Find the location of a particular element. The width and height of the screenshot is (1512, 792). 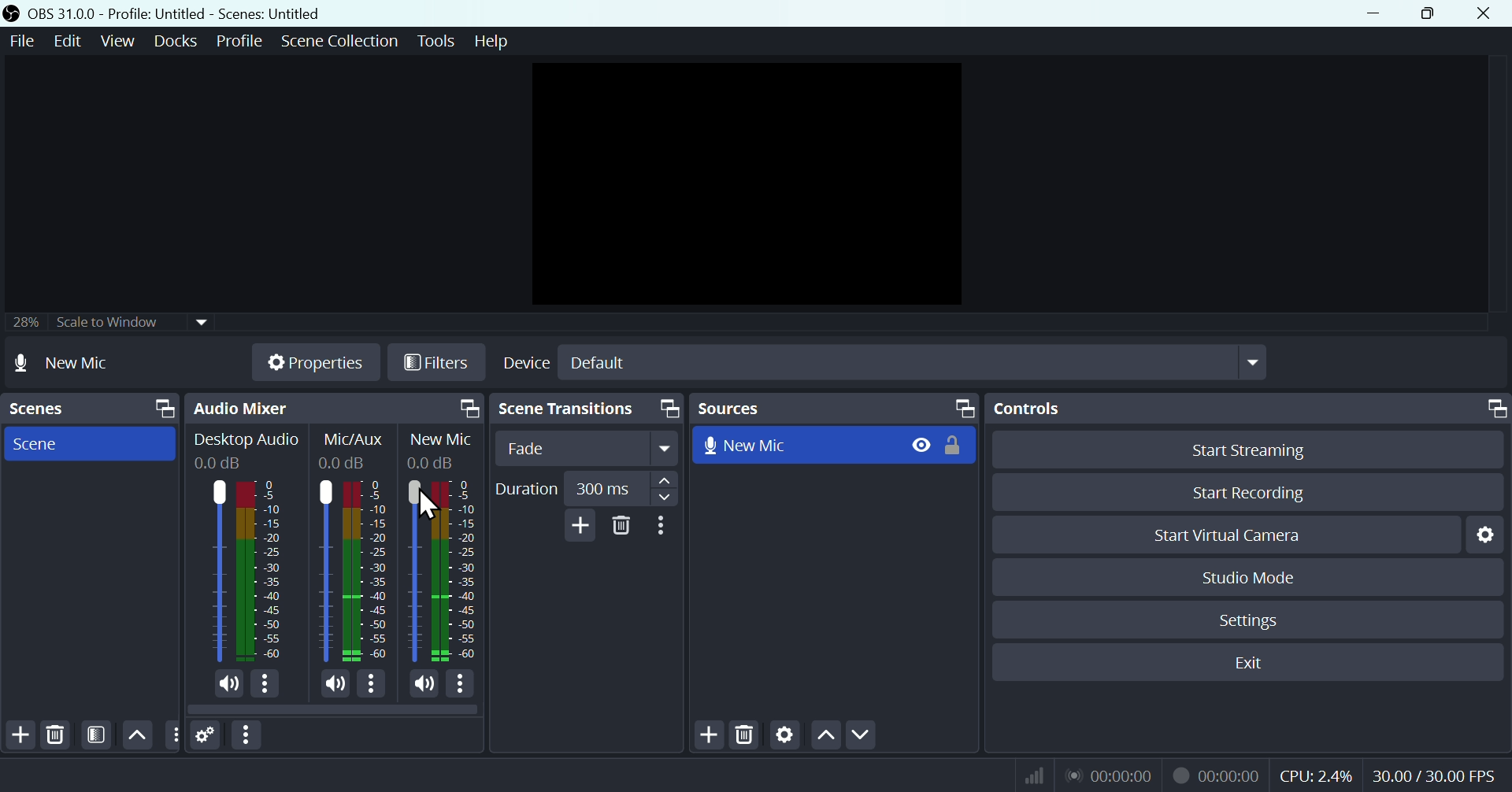

(un)mute is located at coordinates (227, 684).